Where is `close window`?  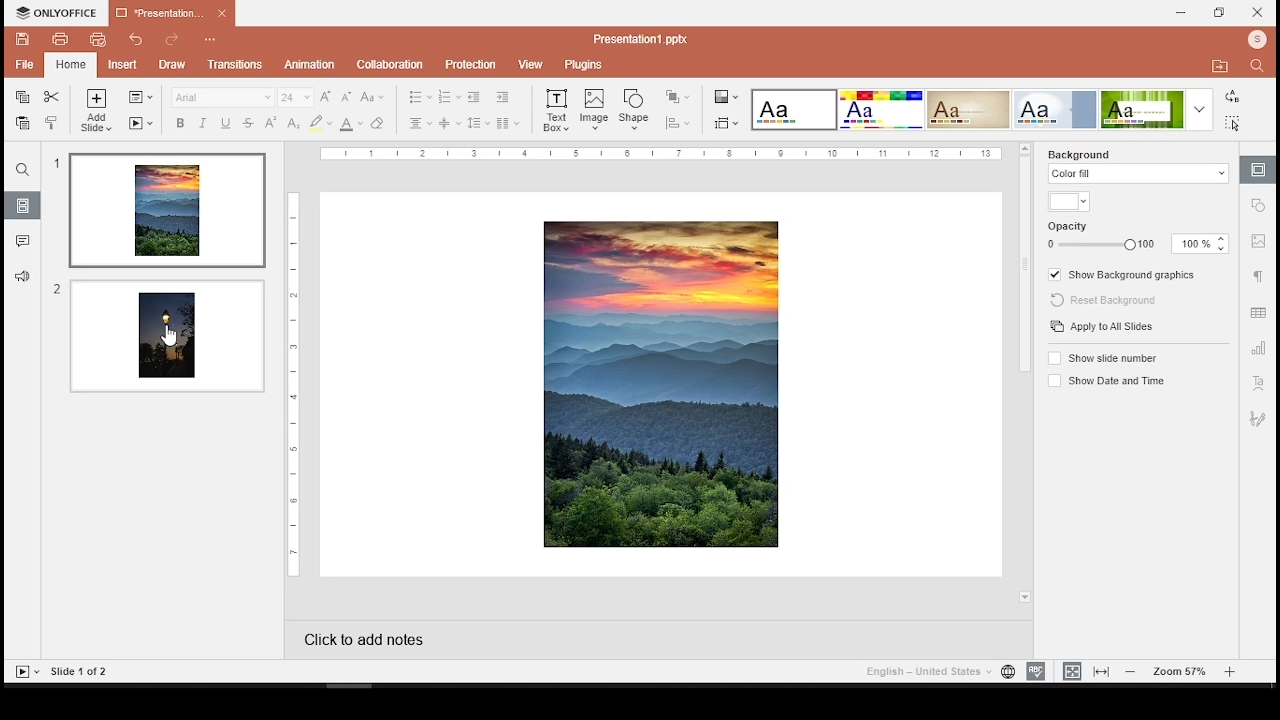
close window is located at coordinates (1260, 13).